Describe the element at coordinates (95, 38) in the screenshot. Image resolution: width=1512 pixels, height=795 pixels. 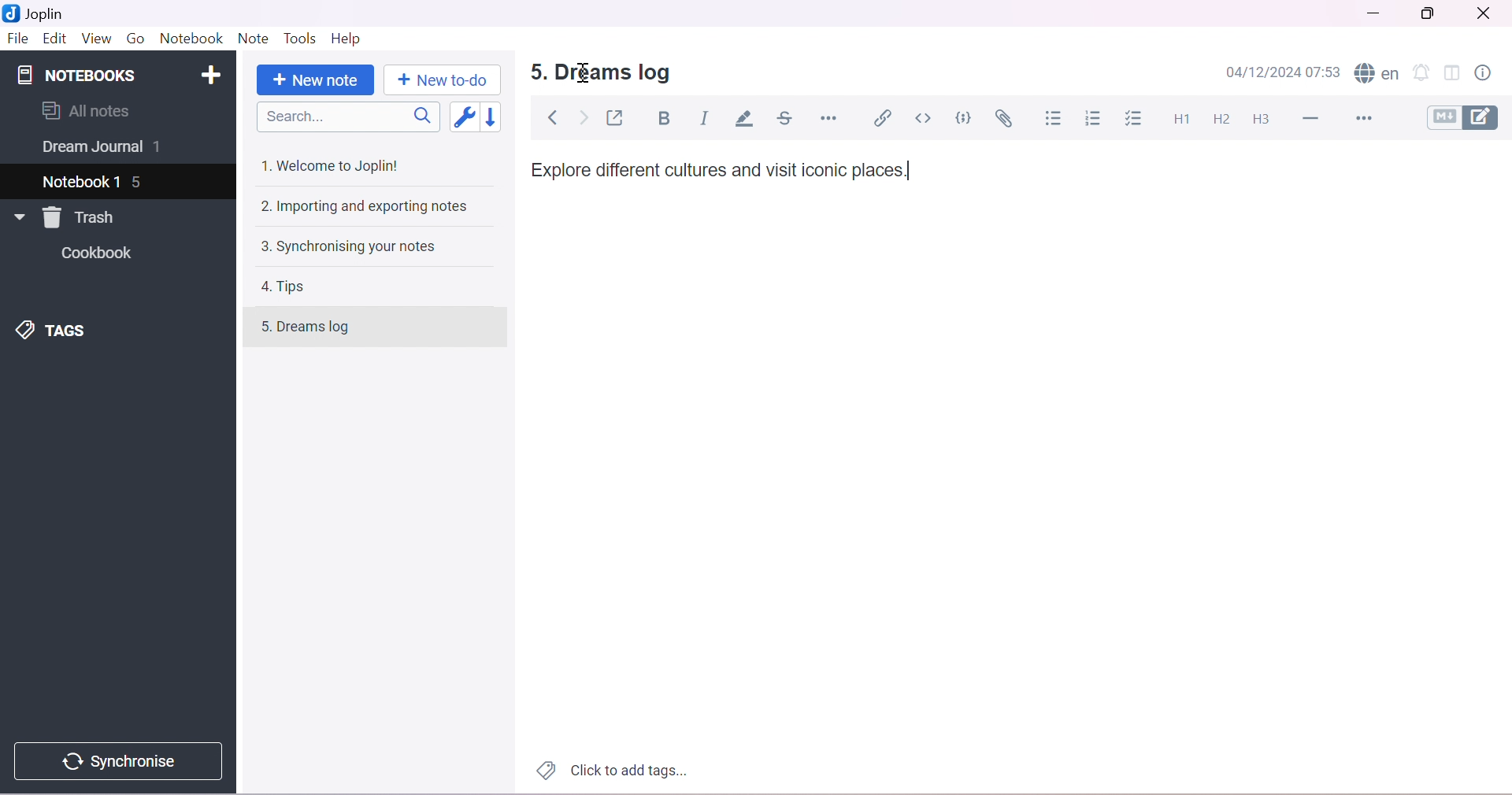
I see `View` at that location.